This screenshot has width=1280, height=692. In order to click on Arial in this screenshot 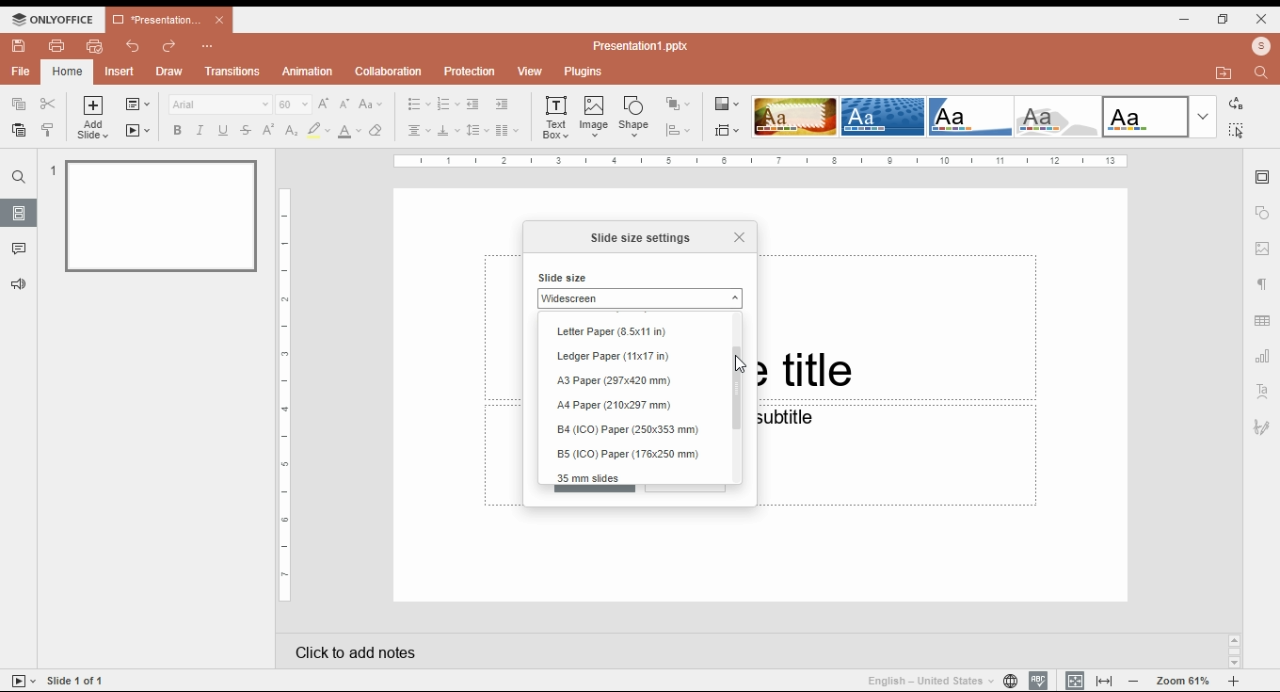, I will do `click(219, 104)`.